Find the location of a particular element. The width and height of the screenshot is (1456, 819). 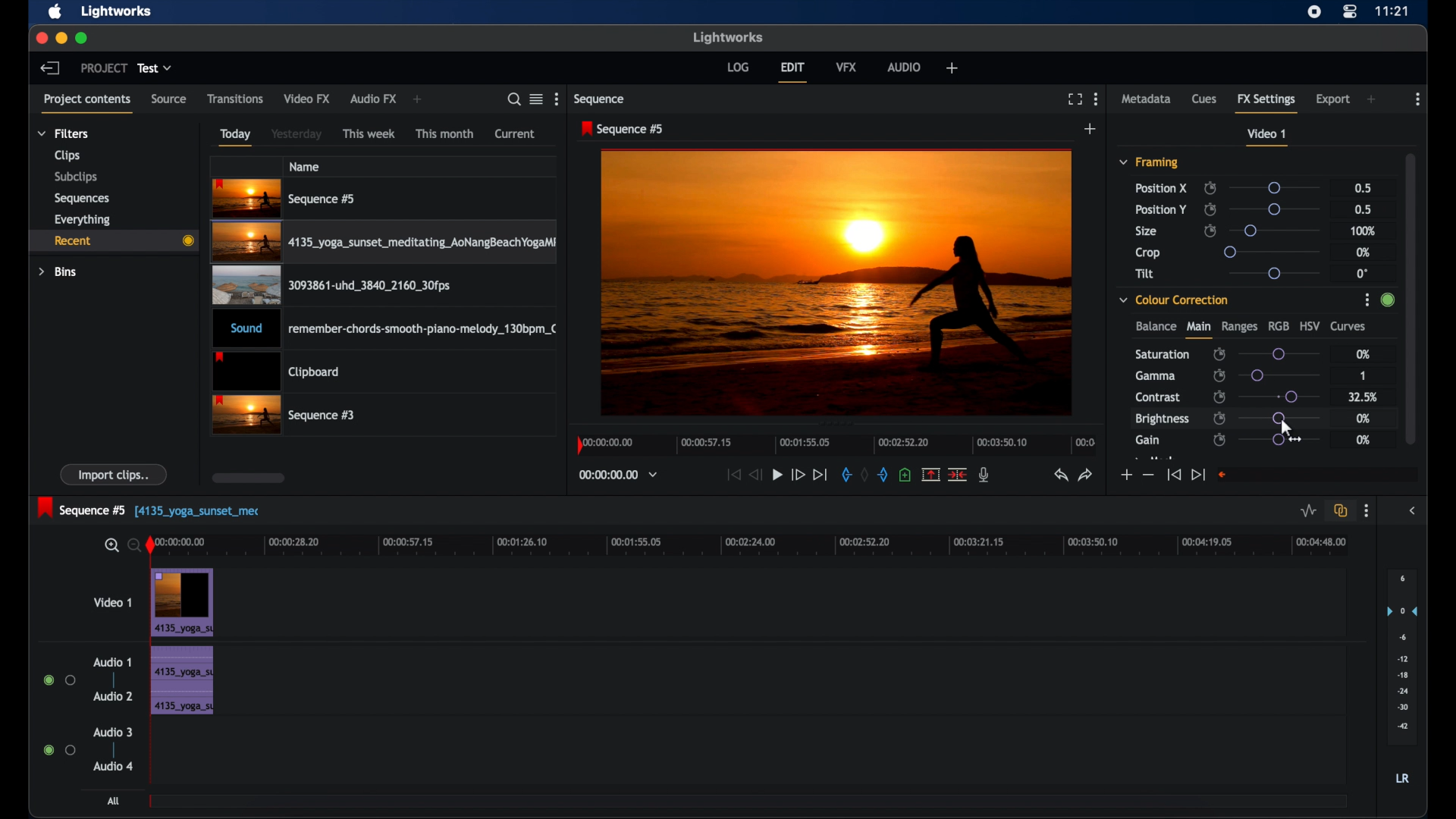

audio 3 is located at coordinates (114, 733).